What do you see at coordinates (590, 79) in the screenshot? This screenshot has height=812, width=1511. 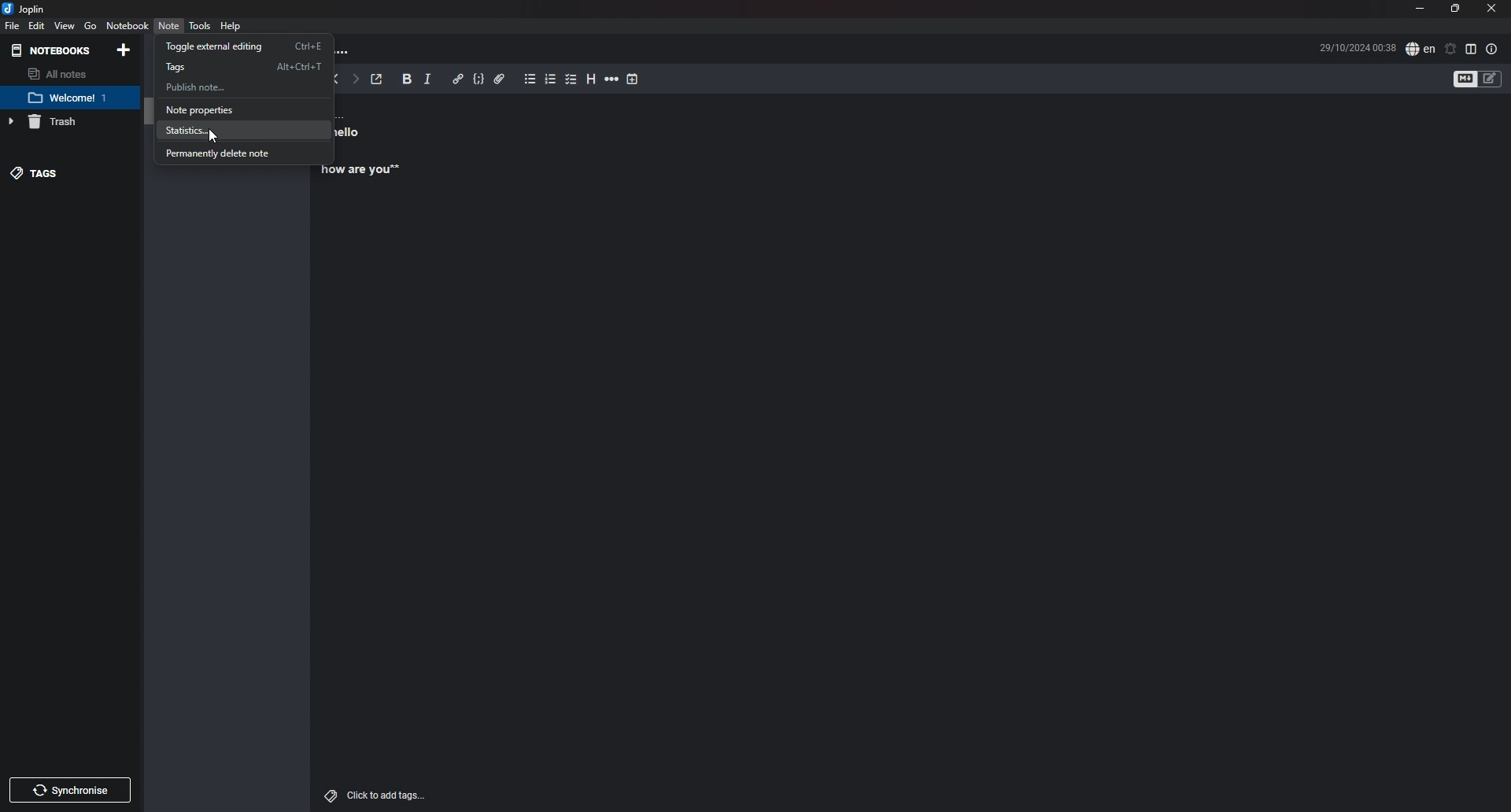 I see `heading` at bounding box center [590, 79].